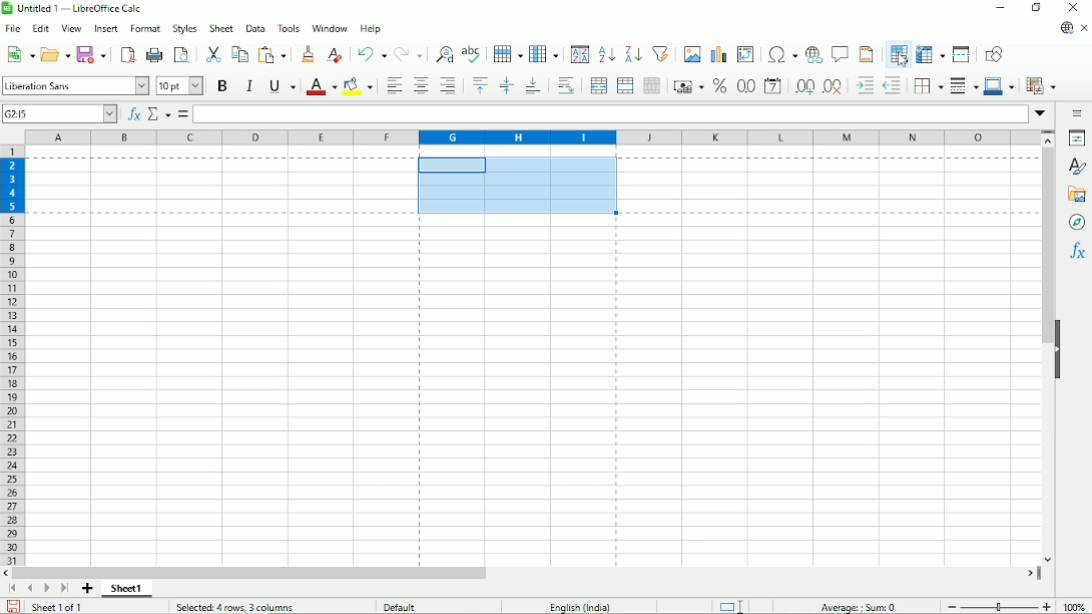 The image size is (1092, 614). I want to click on Toggle print preview, so click(183, 56).